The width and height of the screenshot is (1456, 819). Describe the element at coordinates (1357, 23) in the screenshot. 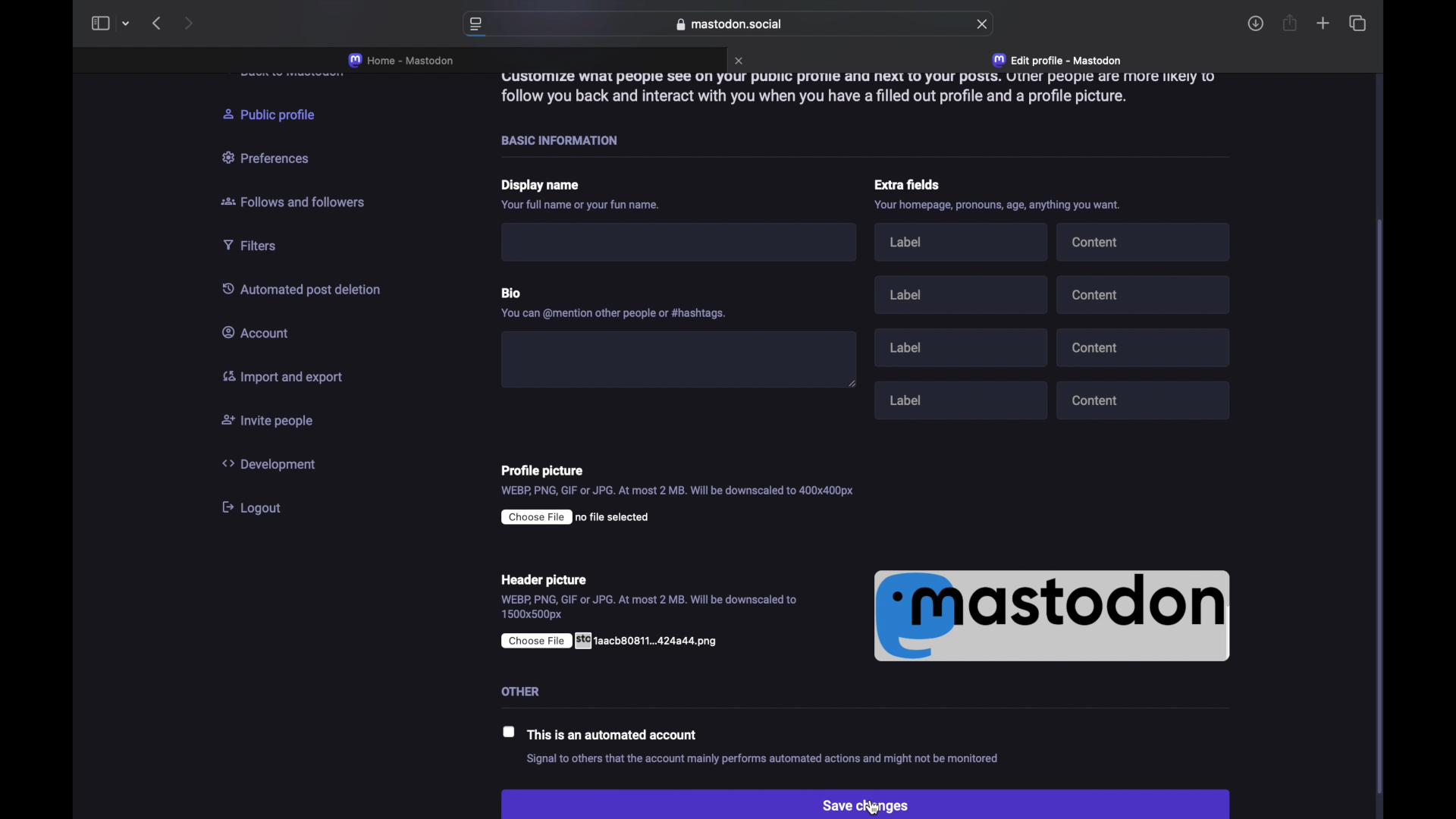

I see `show tab overview` at that location.